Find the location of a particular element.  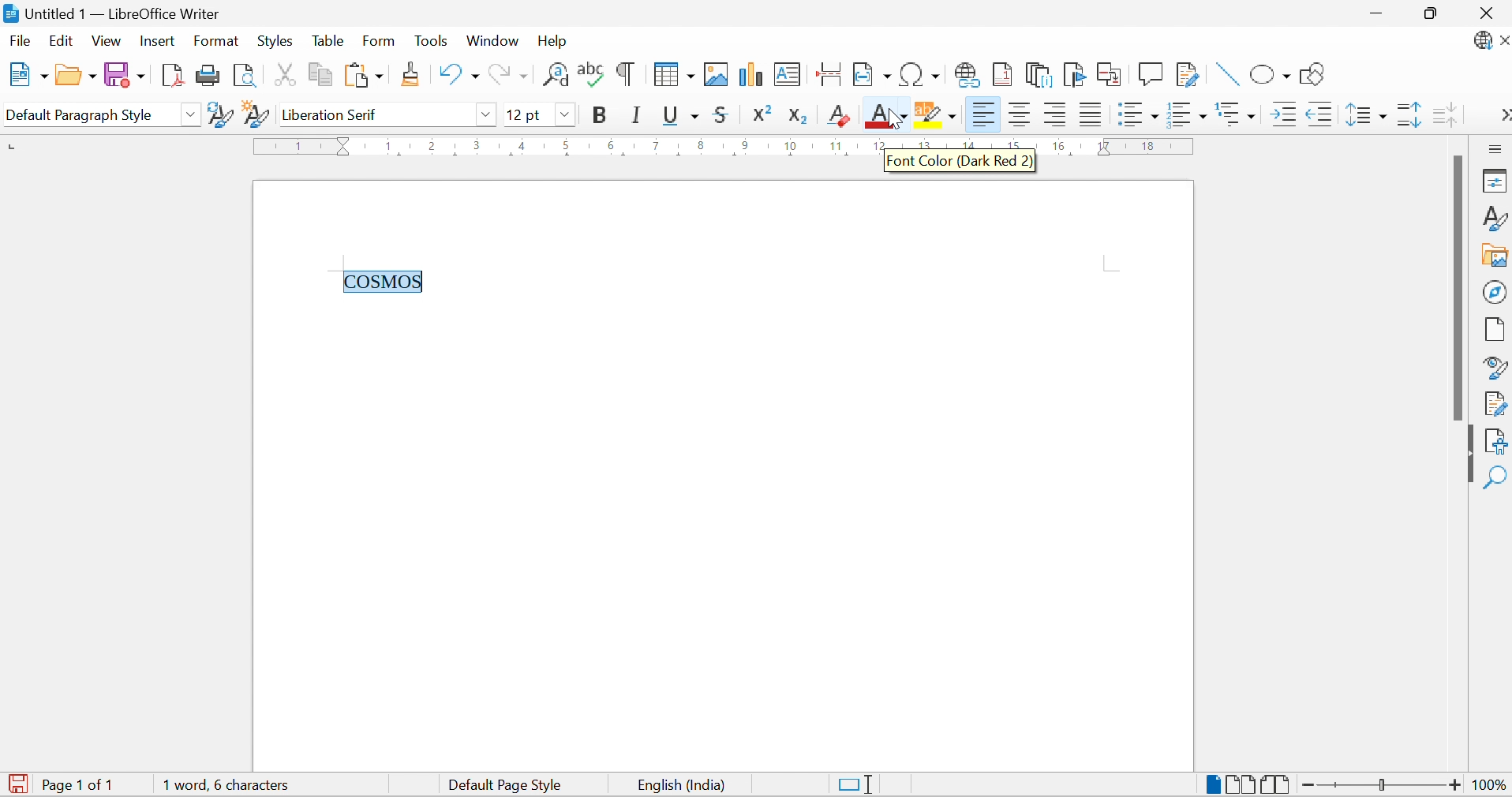

16 is located at coordinates (1057, 147).